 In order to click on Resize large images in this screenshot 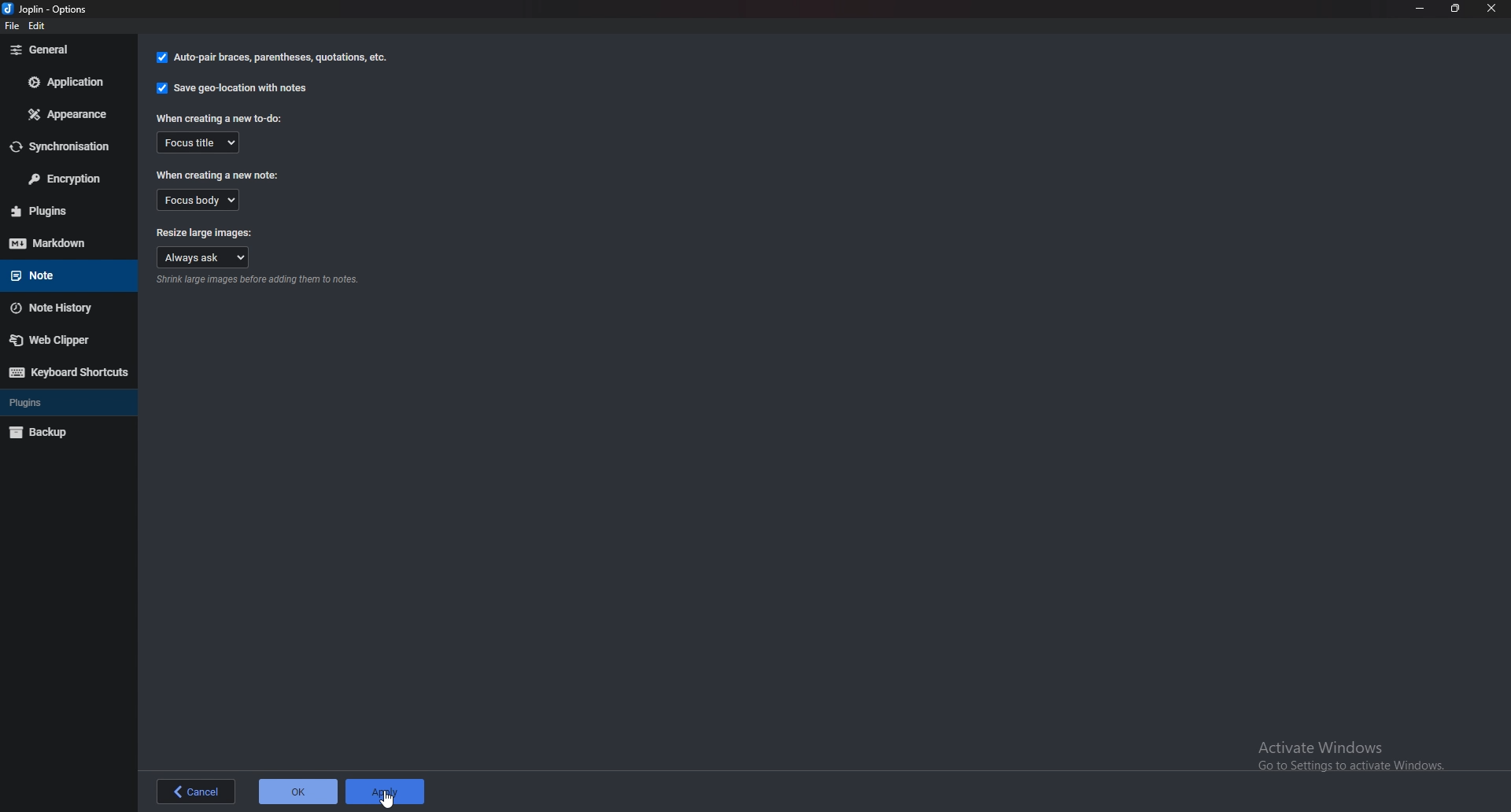, I will do `click(205, 231)`.